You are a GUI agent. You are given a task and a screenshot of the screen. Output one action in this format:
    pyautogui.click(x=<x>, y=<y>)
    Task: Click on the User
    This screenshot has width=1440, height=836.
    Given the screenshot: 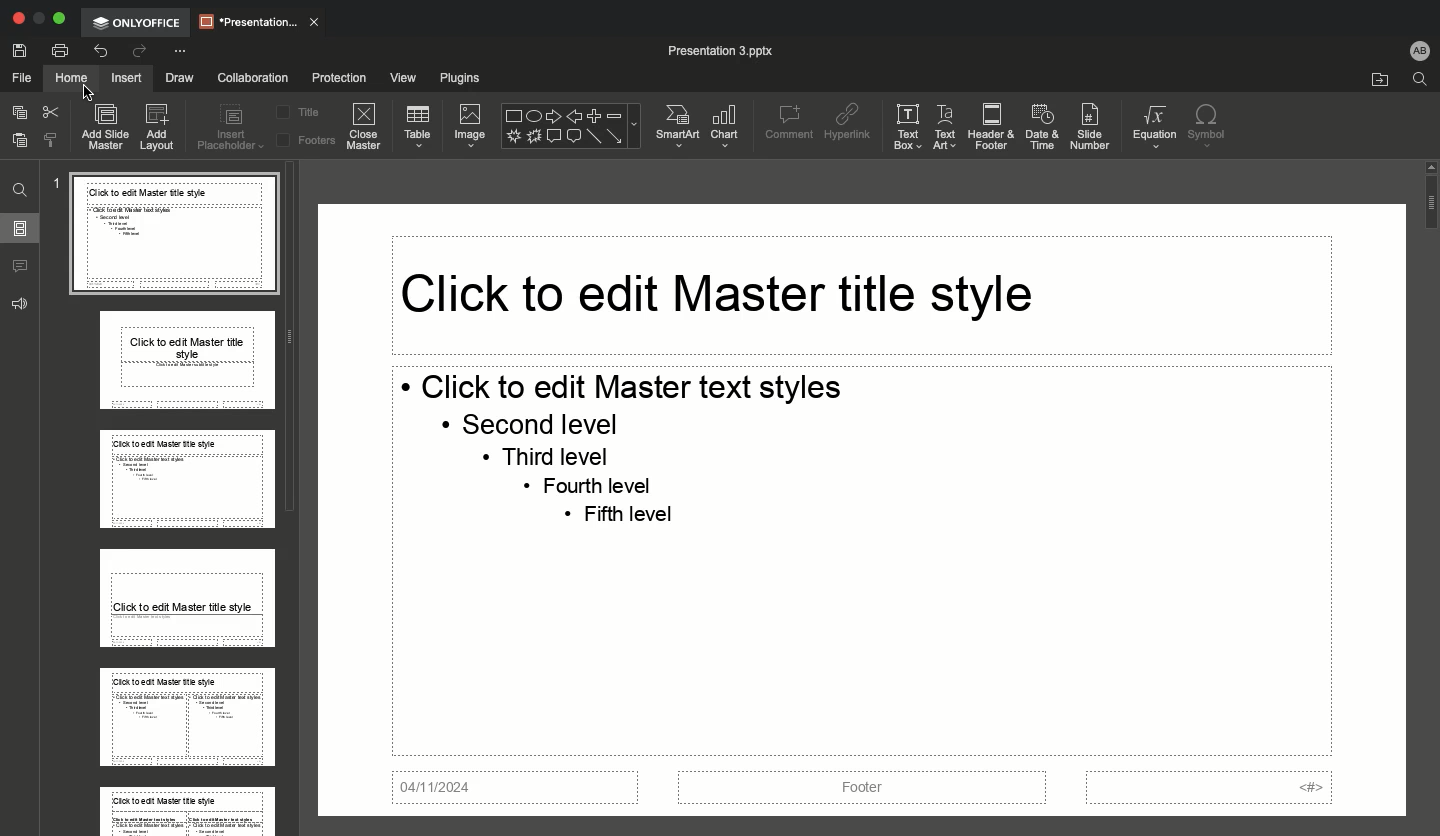 What is the action you would take?
    pyautogui.click(x=1418, y=49)
    